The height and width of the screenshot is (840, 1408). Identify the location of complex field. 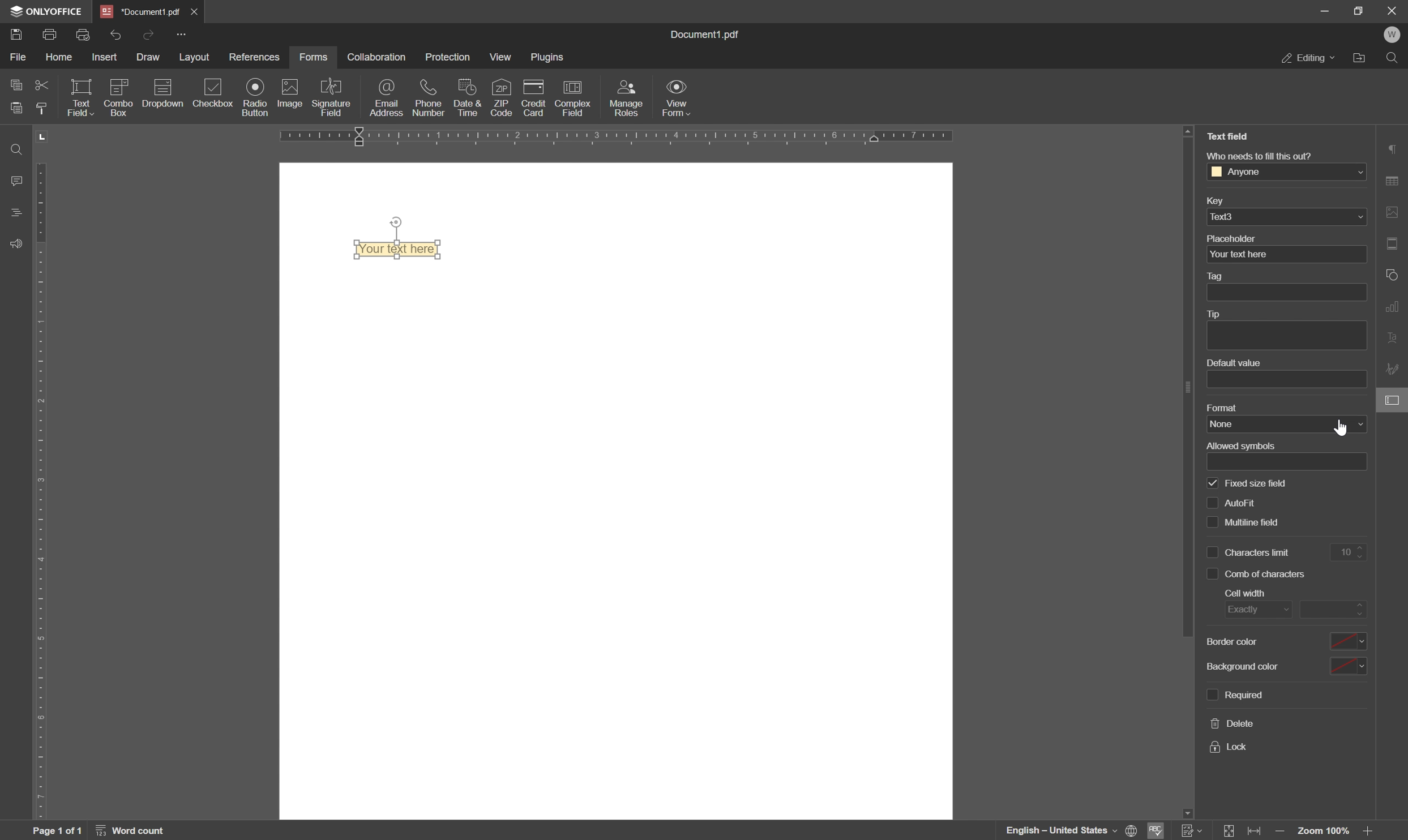
(572, 99).